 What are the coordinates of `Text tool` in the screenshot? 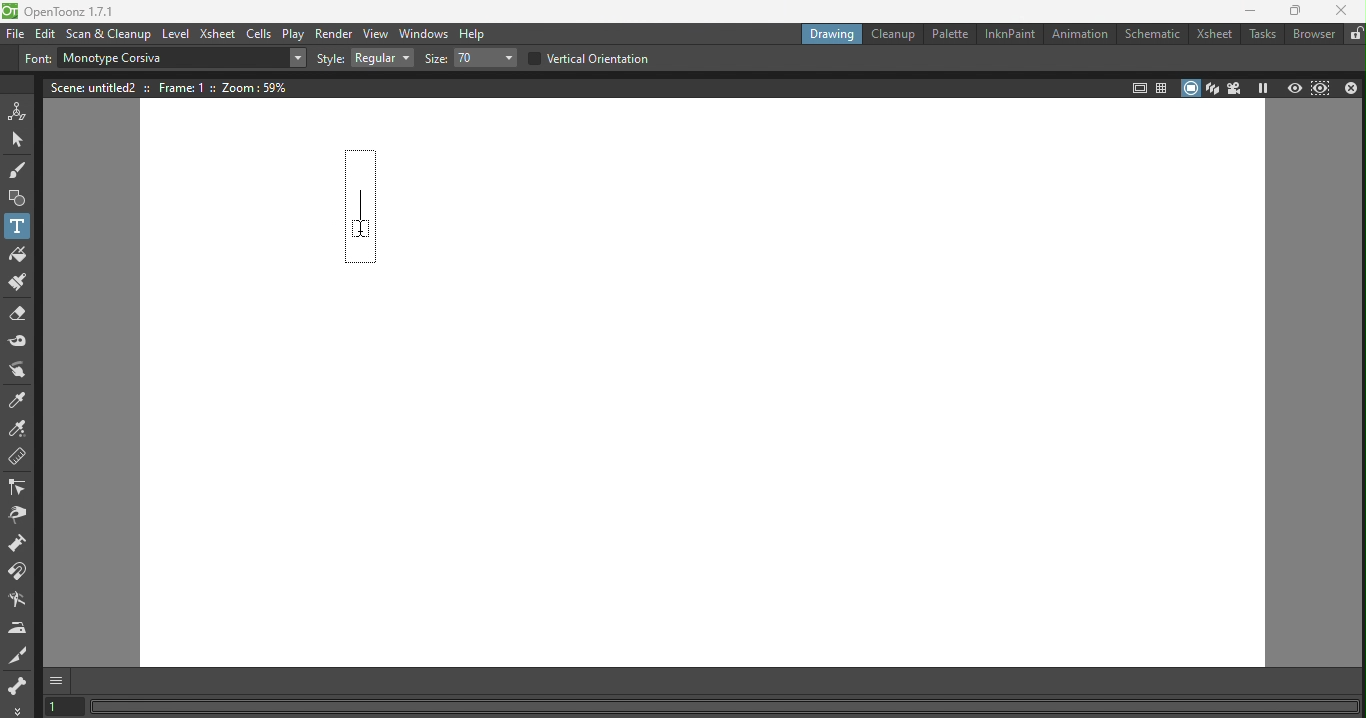 It's located at (19, 226).